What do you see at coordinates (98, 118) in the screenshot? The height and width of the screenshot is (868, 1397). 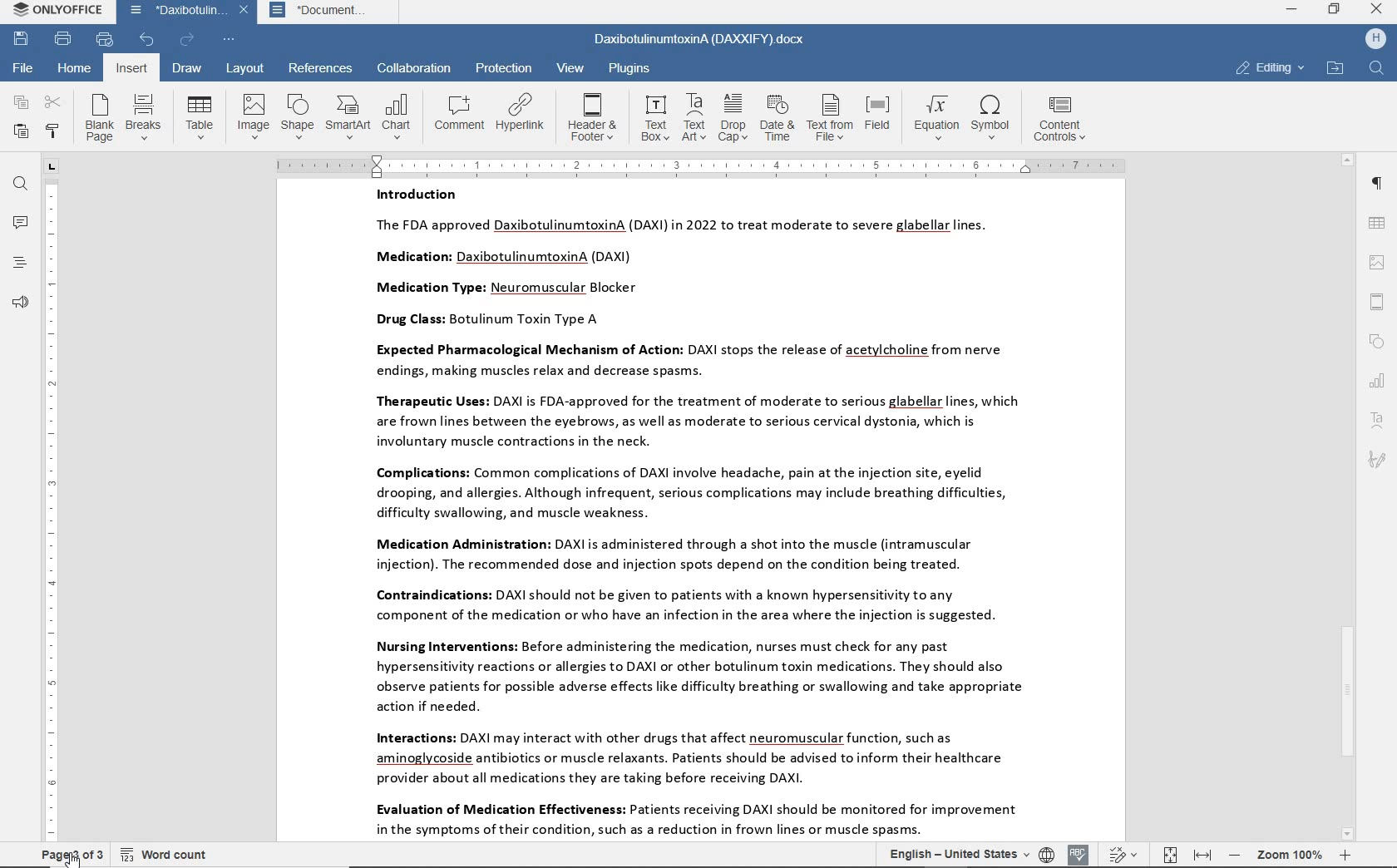 I see `blank page` at bounding box center [98, 118].